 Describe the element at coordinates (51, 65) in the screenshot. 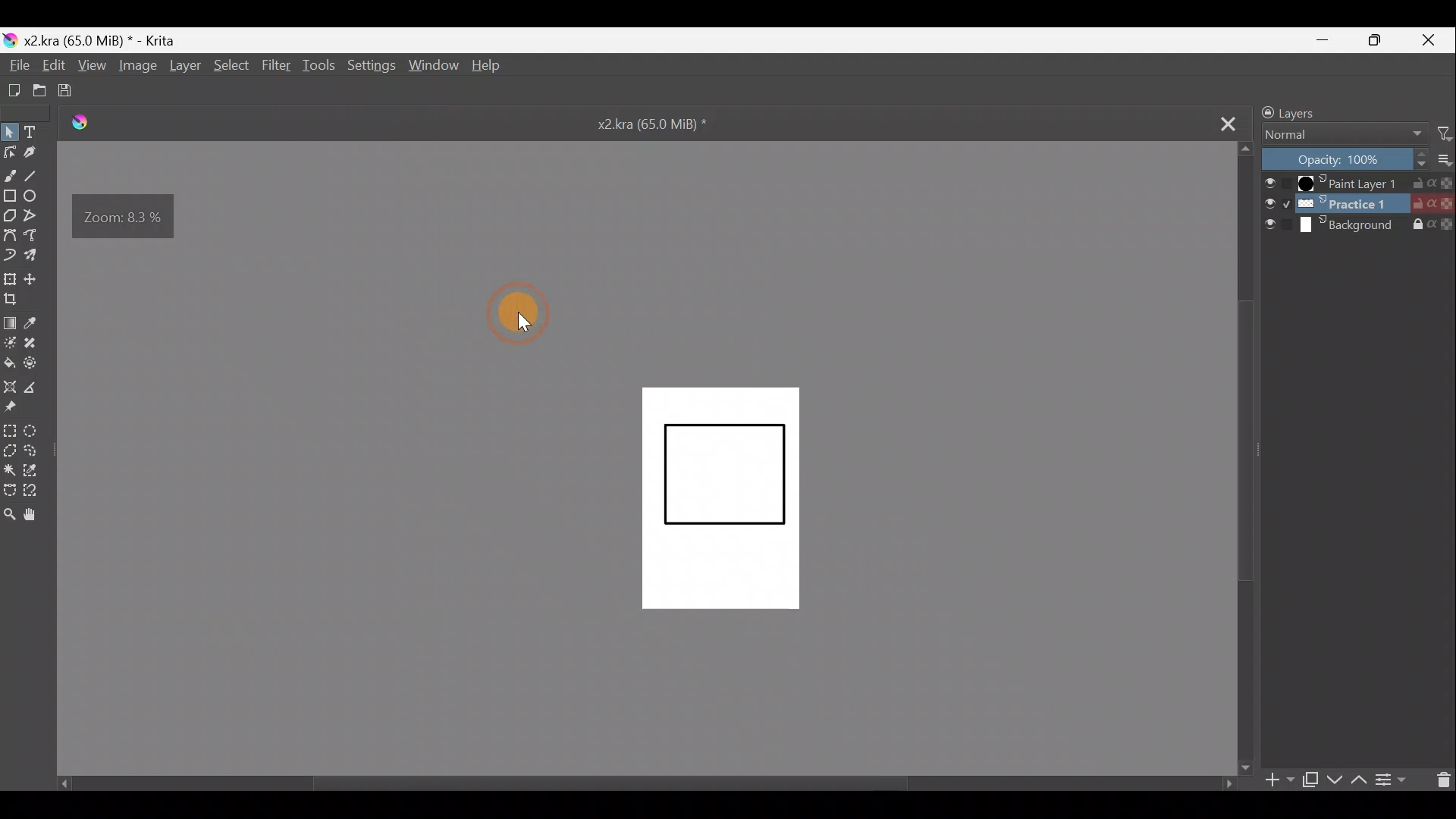

I see `Edit` at that location.